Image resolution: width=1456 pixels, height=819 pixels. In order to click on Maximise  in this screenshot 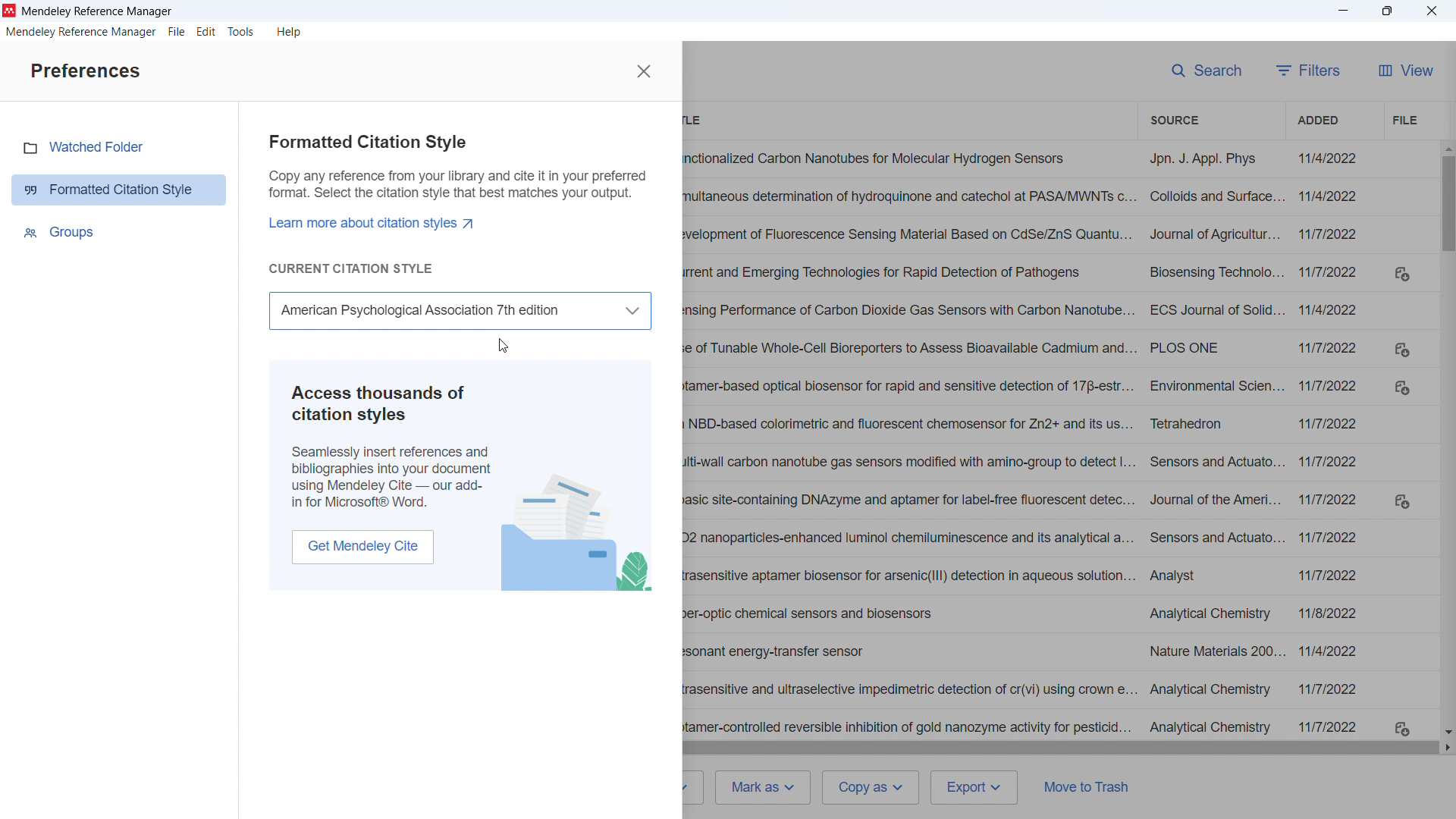, I will do `click(1385, 11)`.